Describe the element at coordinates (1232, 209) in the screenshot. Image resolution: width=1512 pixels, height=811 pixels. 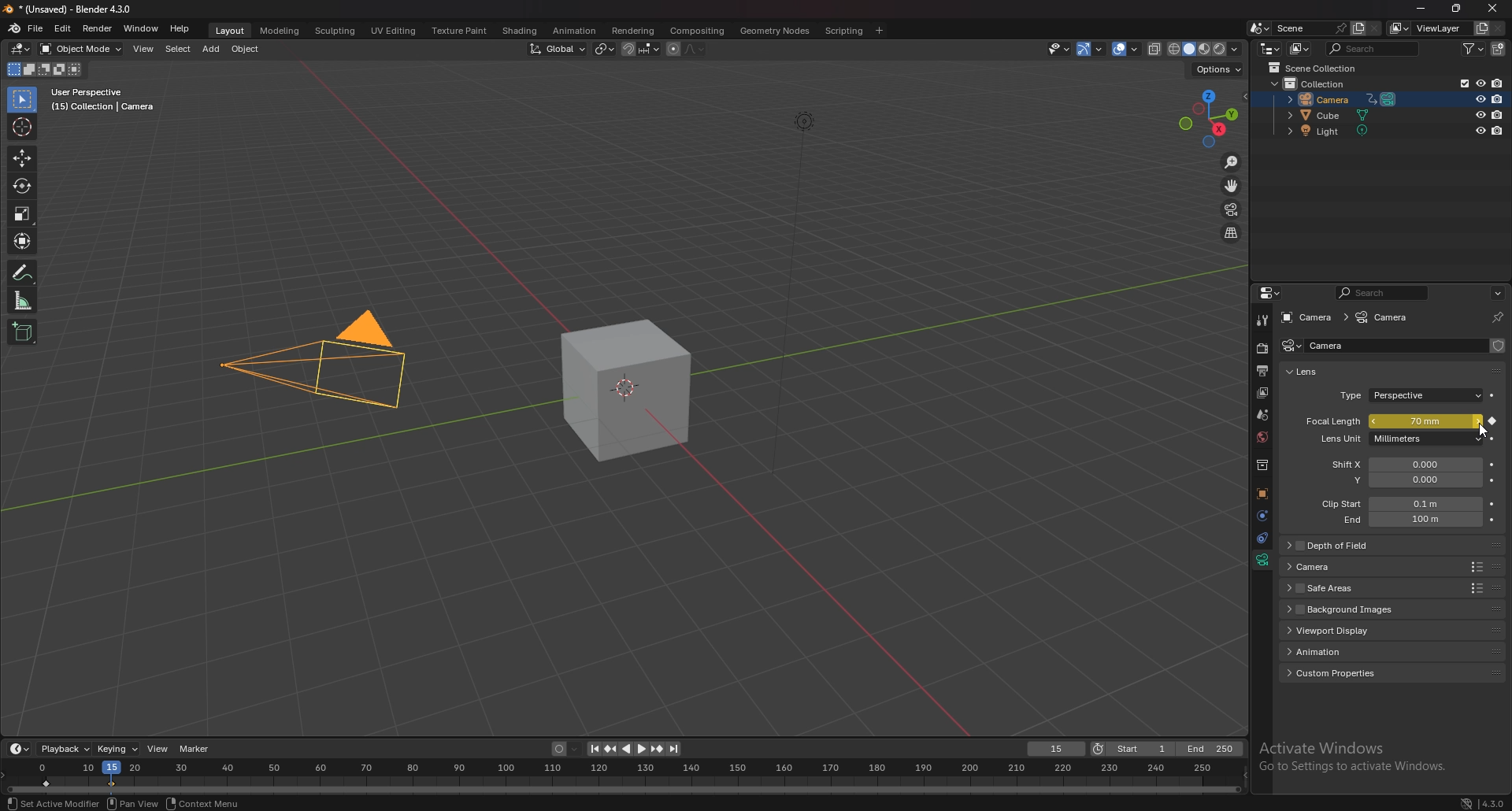
I see `camera view` at that location.